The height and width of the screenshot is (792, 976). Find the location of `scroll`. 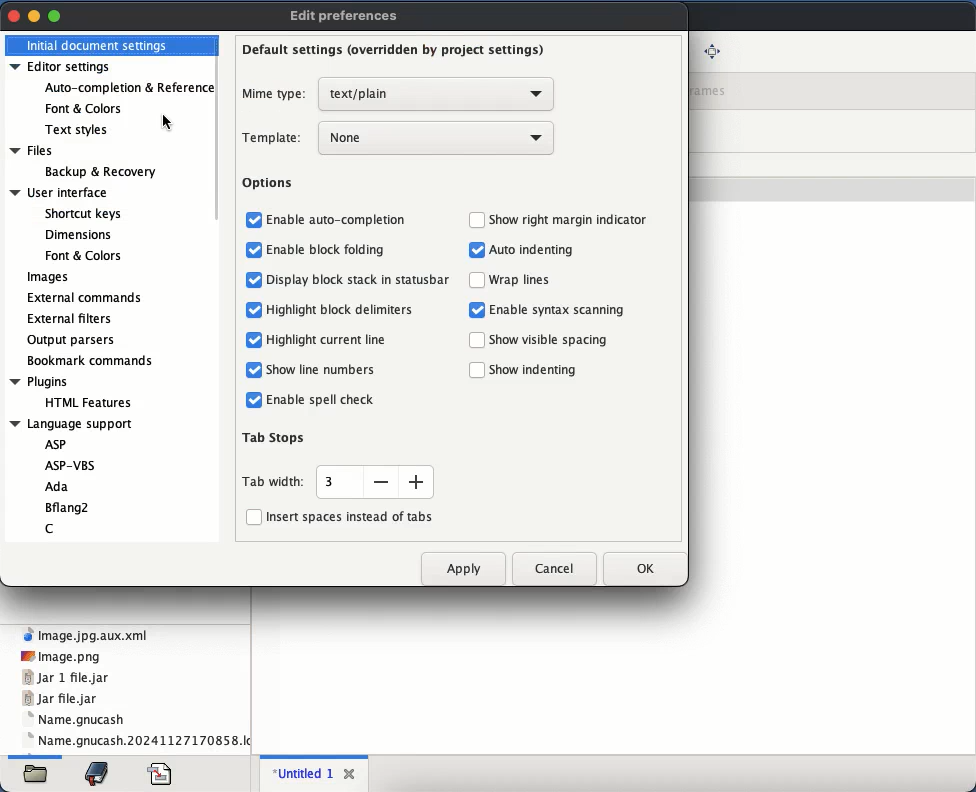

scroll is located at coordinates (217, 133).